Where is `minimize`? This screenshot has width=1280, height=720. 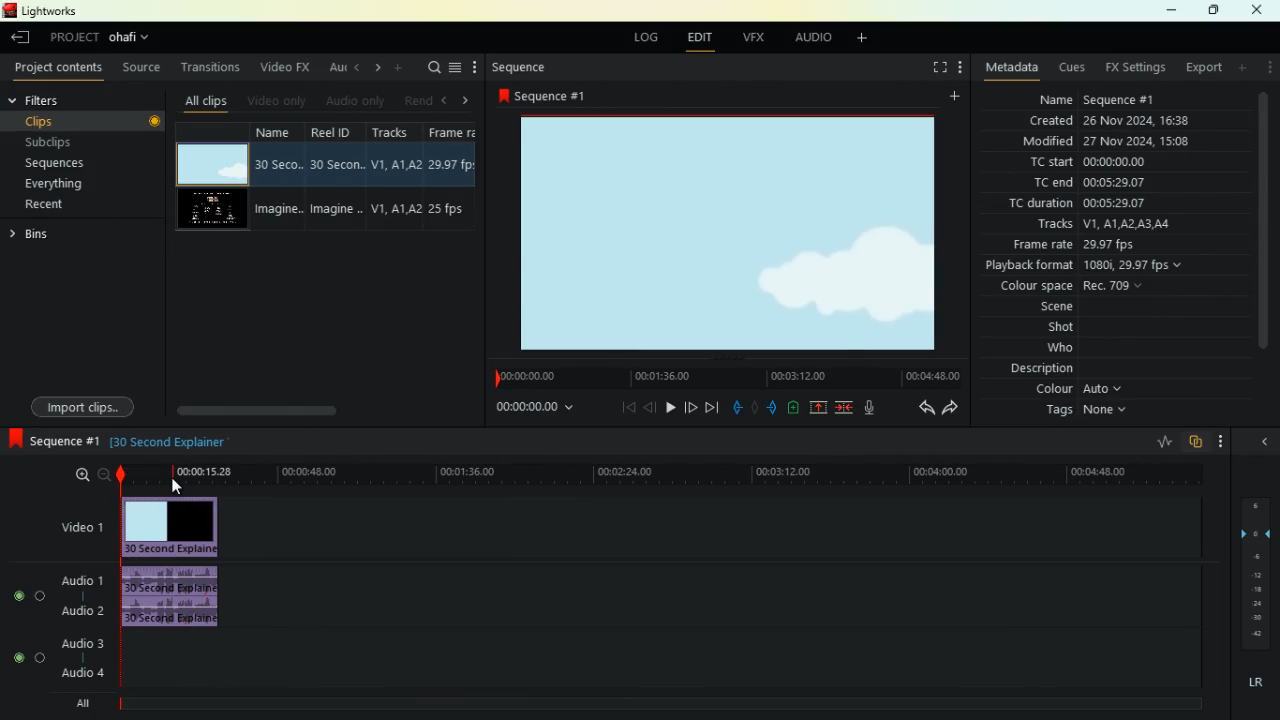 minimize is located at coordinates (1174, 11).